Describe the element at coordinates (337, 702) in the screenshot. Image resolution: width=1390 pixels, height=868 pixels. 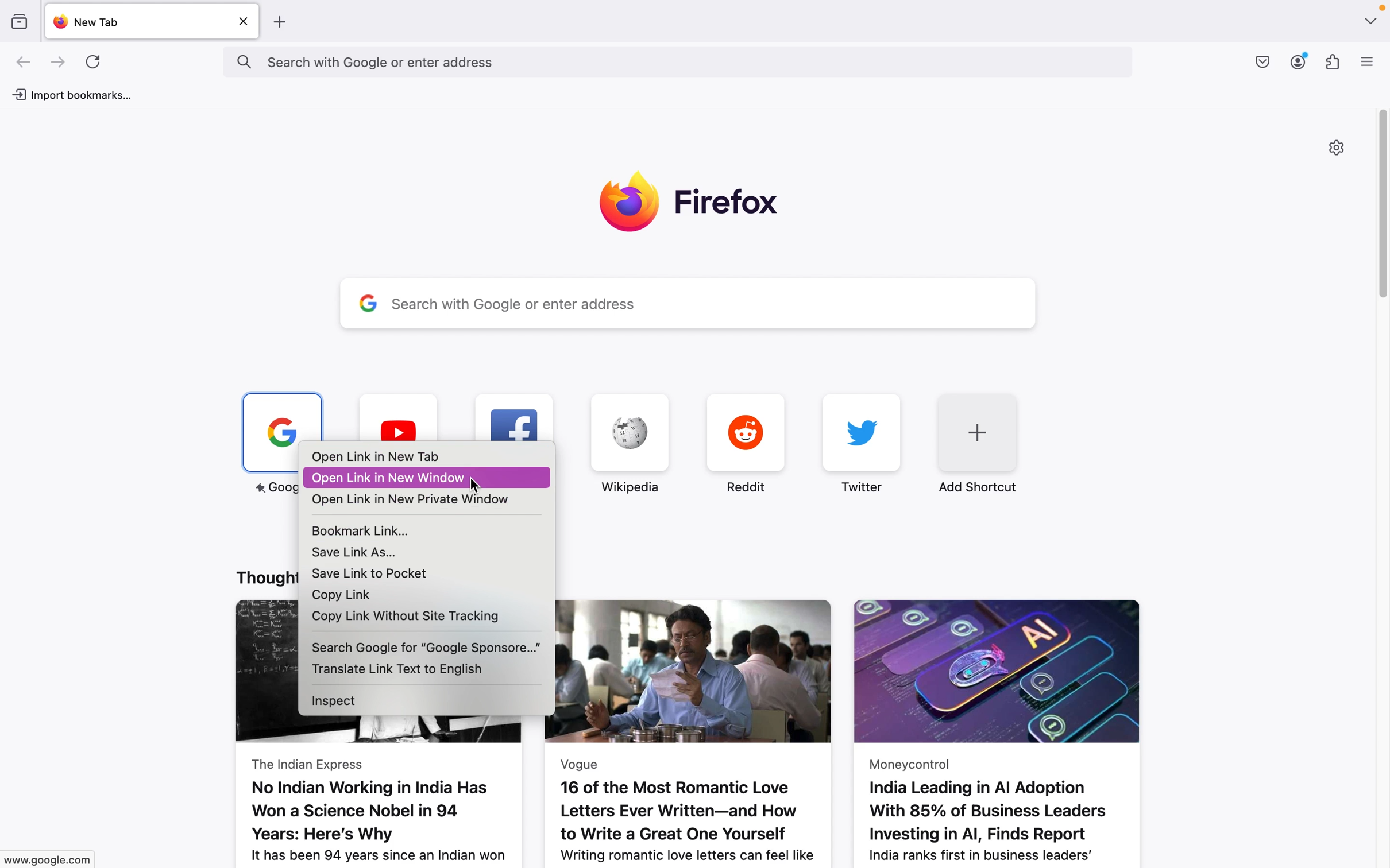
I see `inspect` at that location.